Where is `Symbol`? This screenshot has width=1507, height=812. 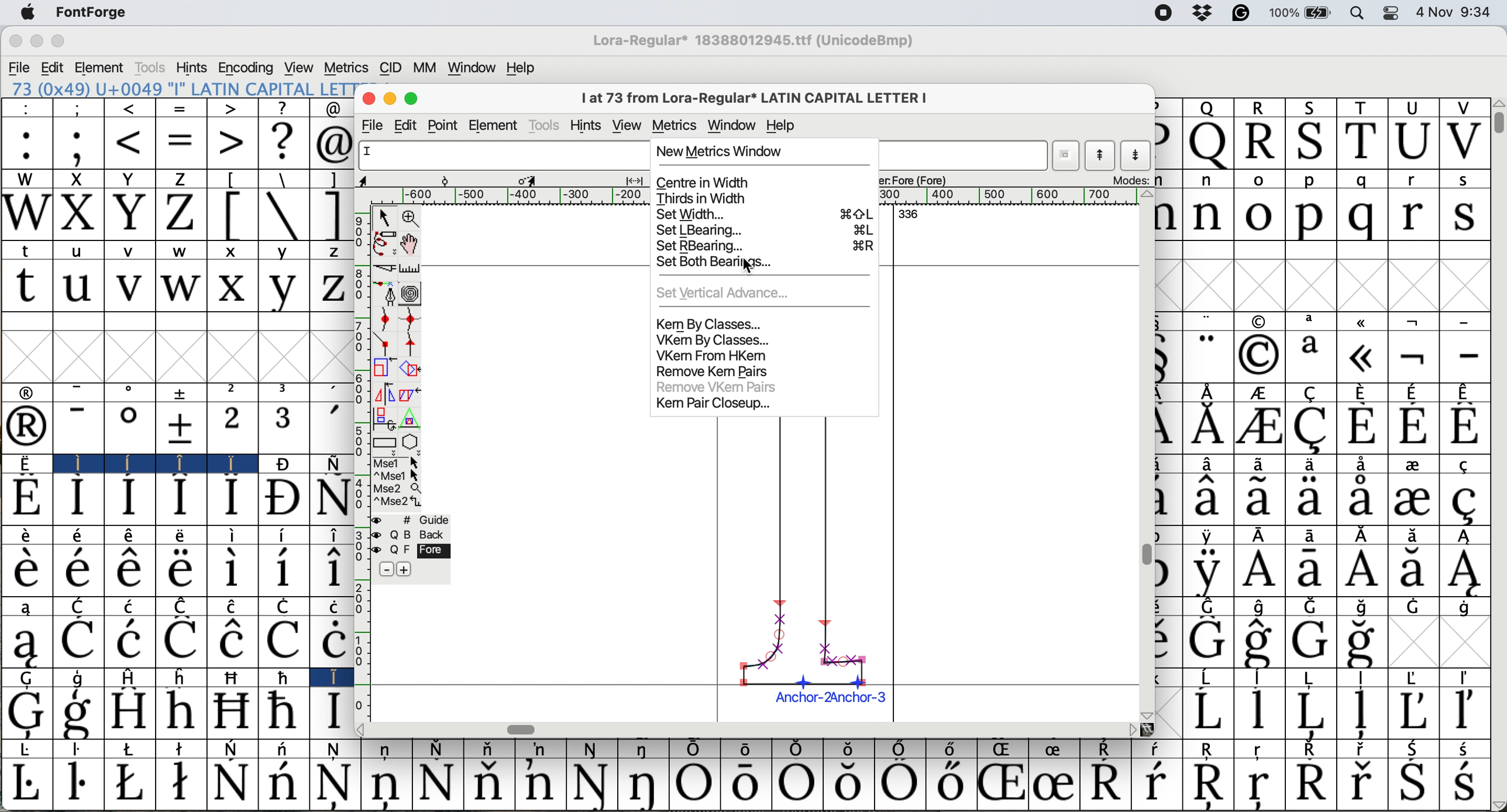
Symbol is located at coordinates (1208, 465).